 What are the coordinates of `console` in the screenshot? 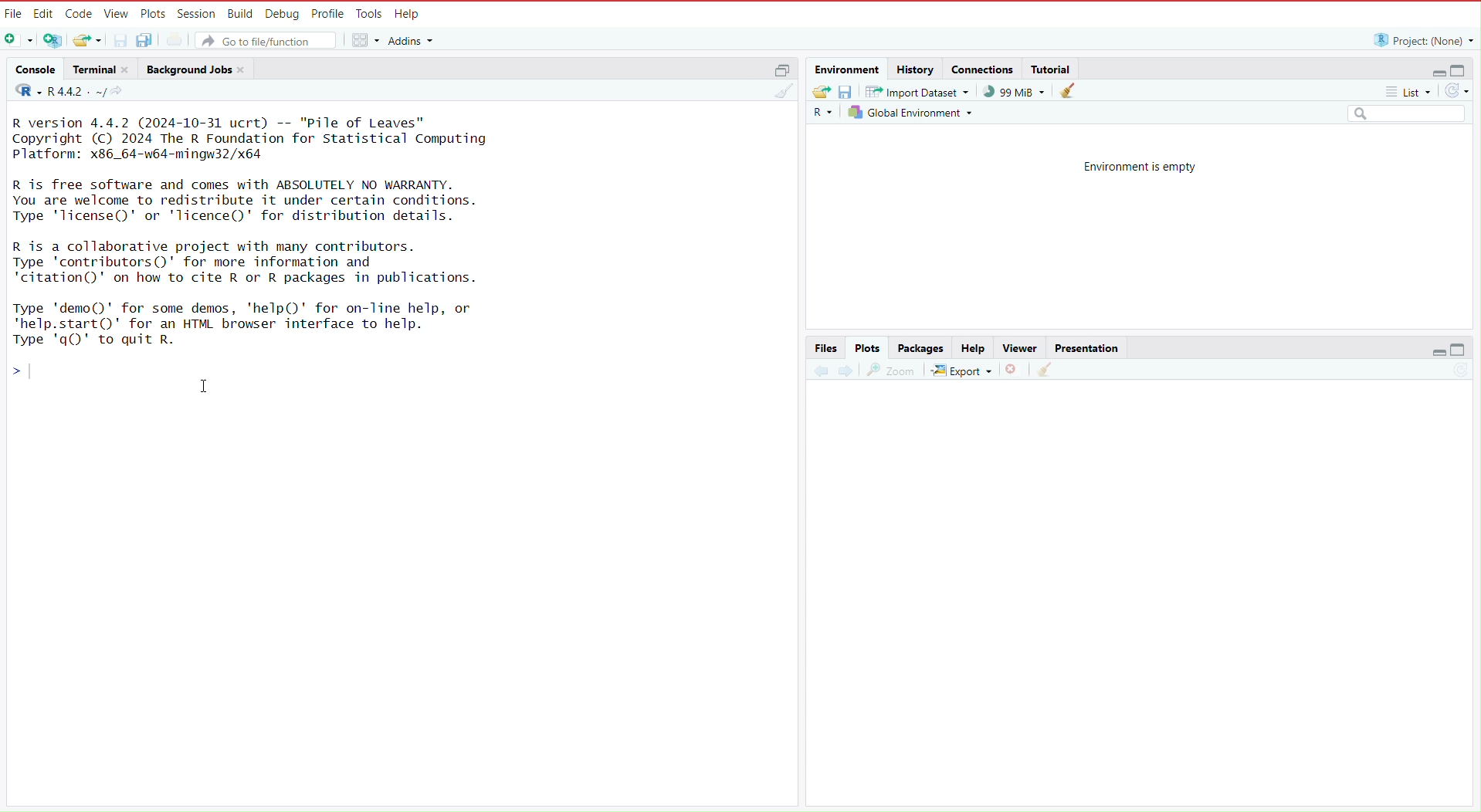 It's located at (31, 67).